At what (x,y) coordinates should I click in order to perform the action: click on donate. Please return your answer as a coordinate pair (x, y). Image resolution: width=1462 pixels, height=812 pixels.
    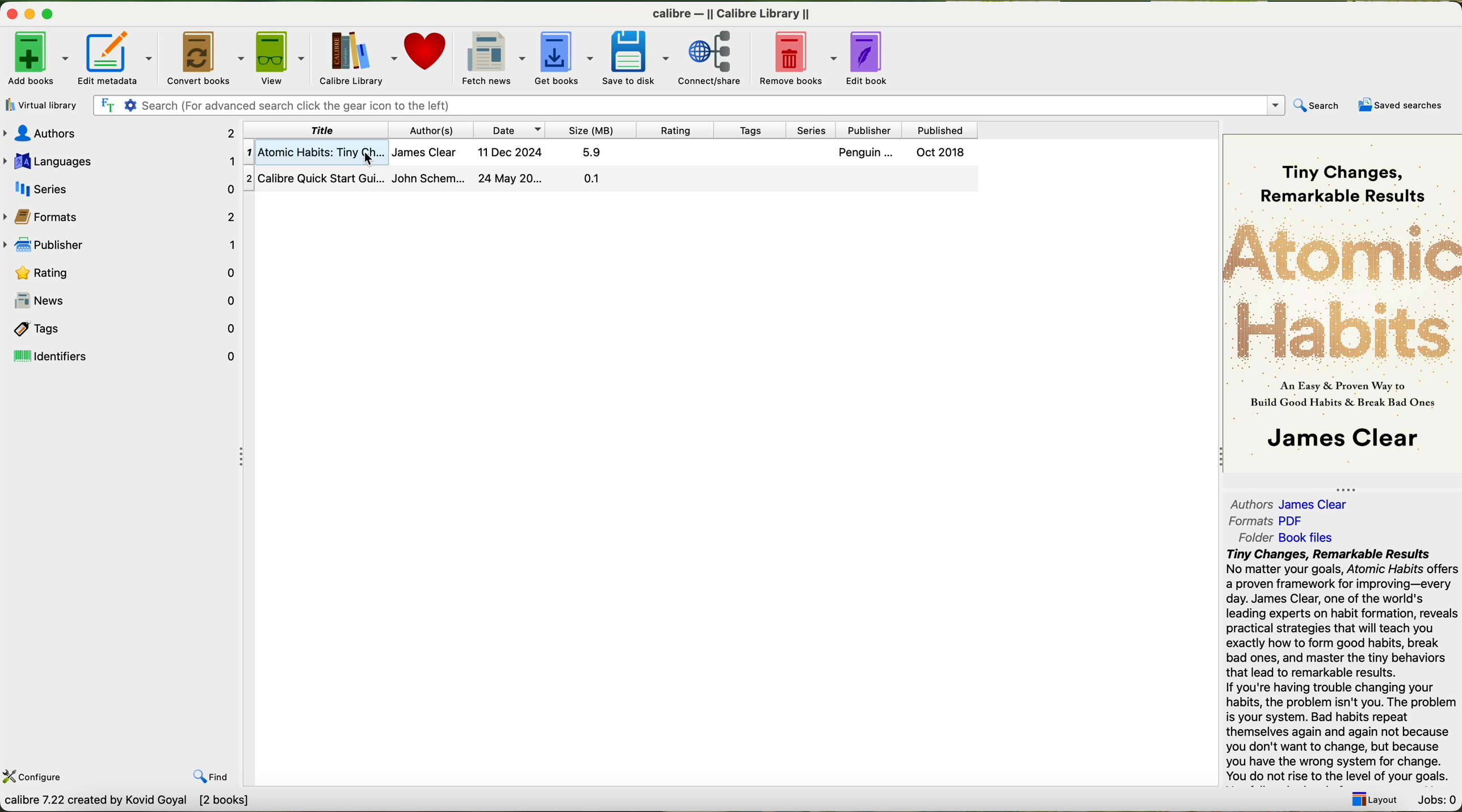
    Looking at the image, I should click on (427, 54).